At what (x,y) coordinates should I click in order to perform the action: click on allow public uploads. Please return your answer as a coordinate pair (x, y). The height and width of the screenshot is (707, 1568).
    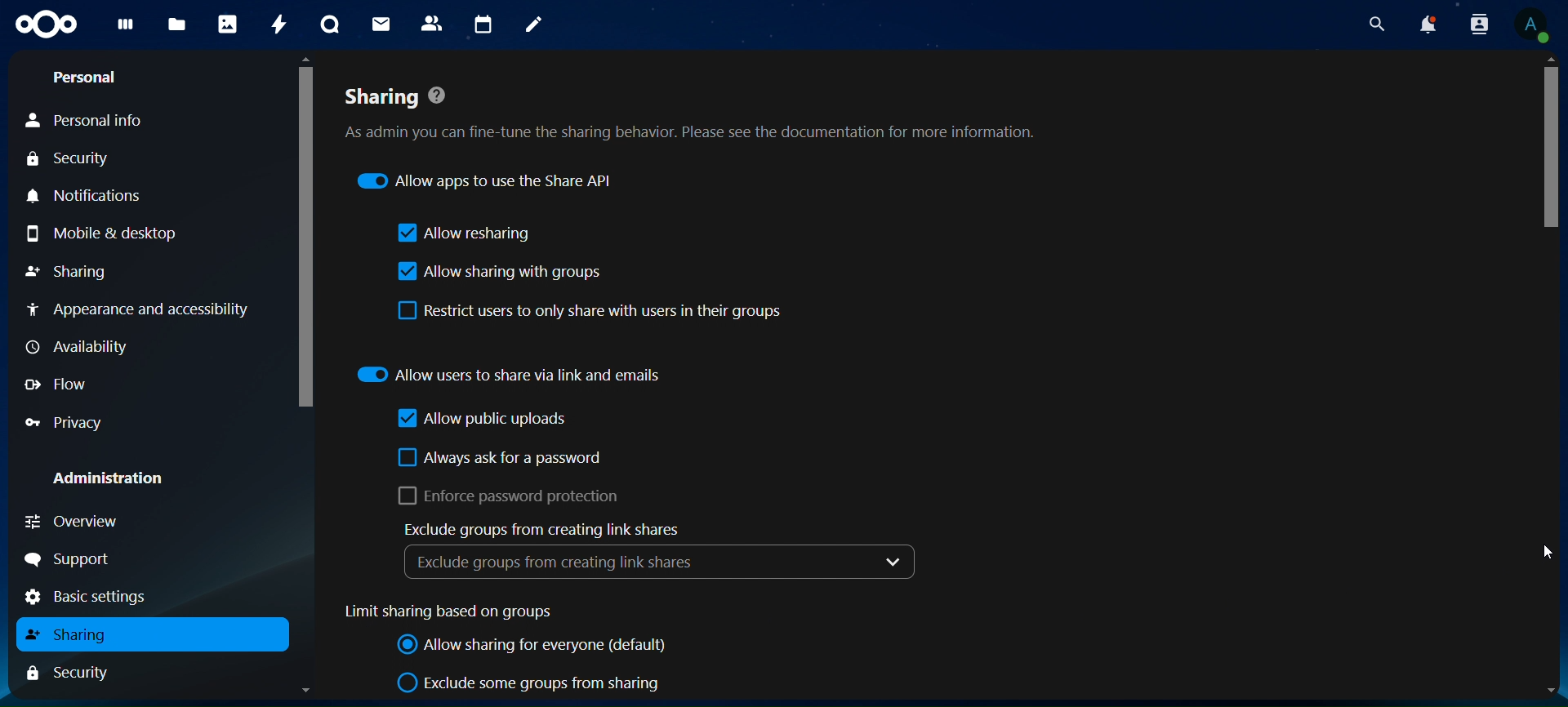
    Looking at the image, I should click on (485, 420).